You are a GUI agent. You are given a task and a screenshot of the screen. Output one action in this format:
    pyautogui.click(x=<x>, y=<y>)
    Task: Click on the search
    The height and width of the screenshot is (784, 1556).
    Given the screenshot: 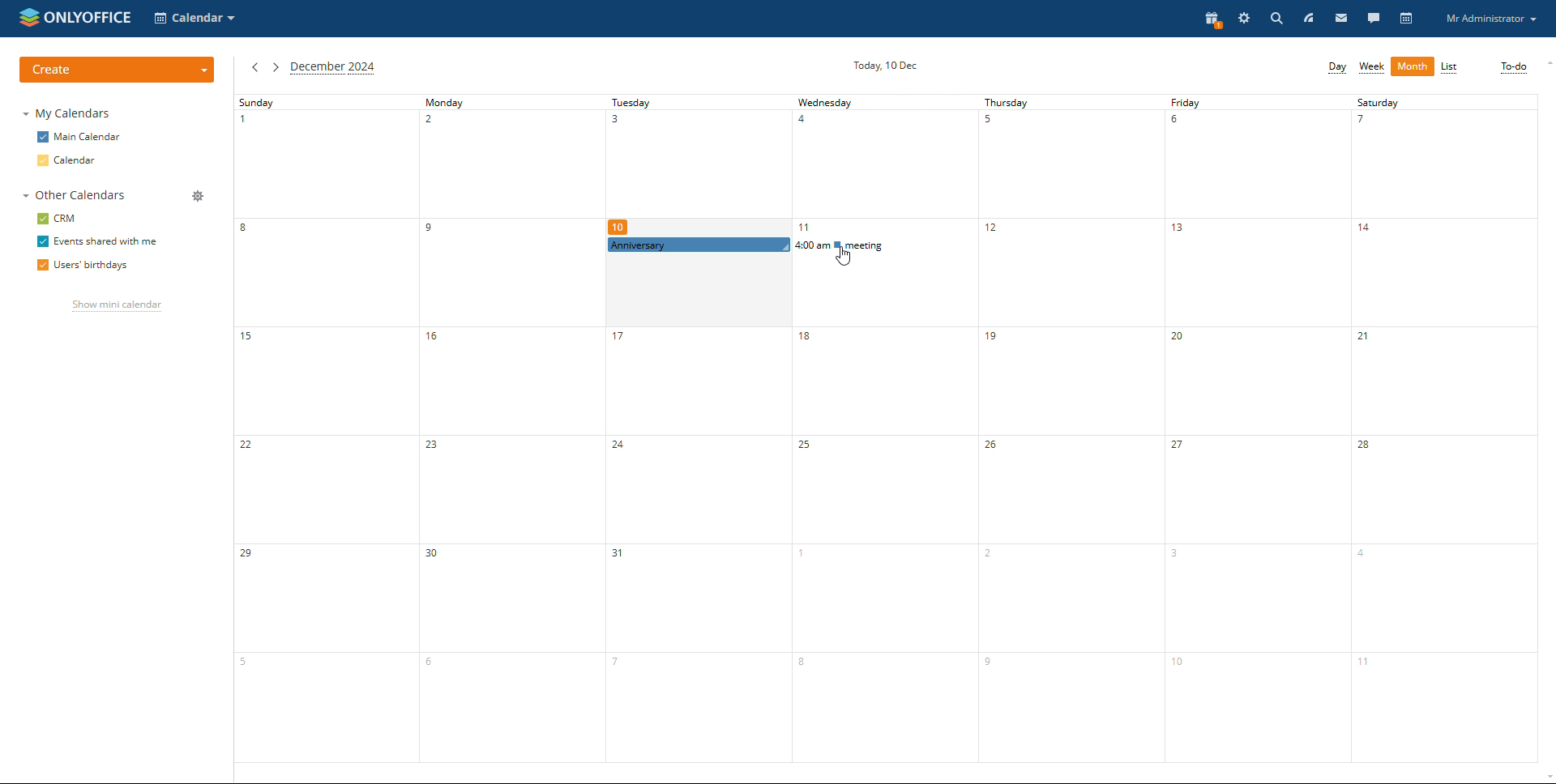 What is the action you would take?
    pyautogui.click(x=1276, y=19)
    